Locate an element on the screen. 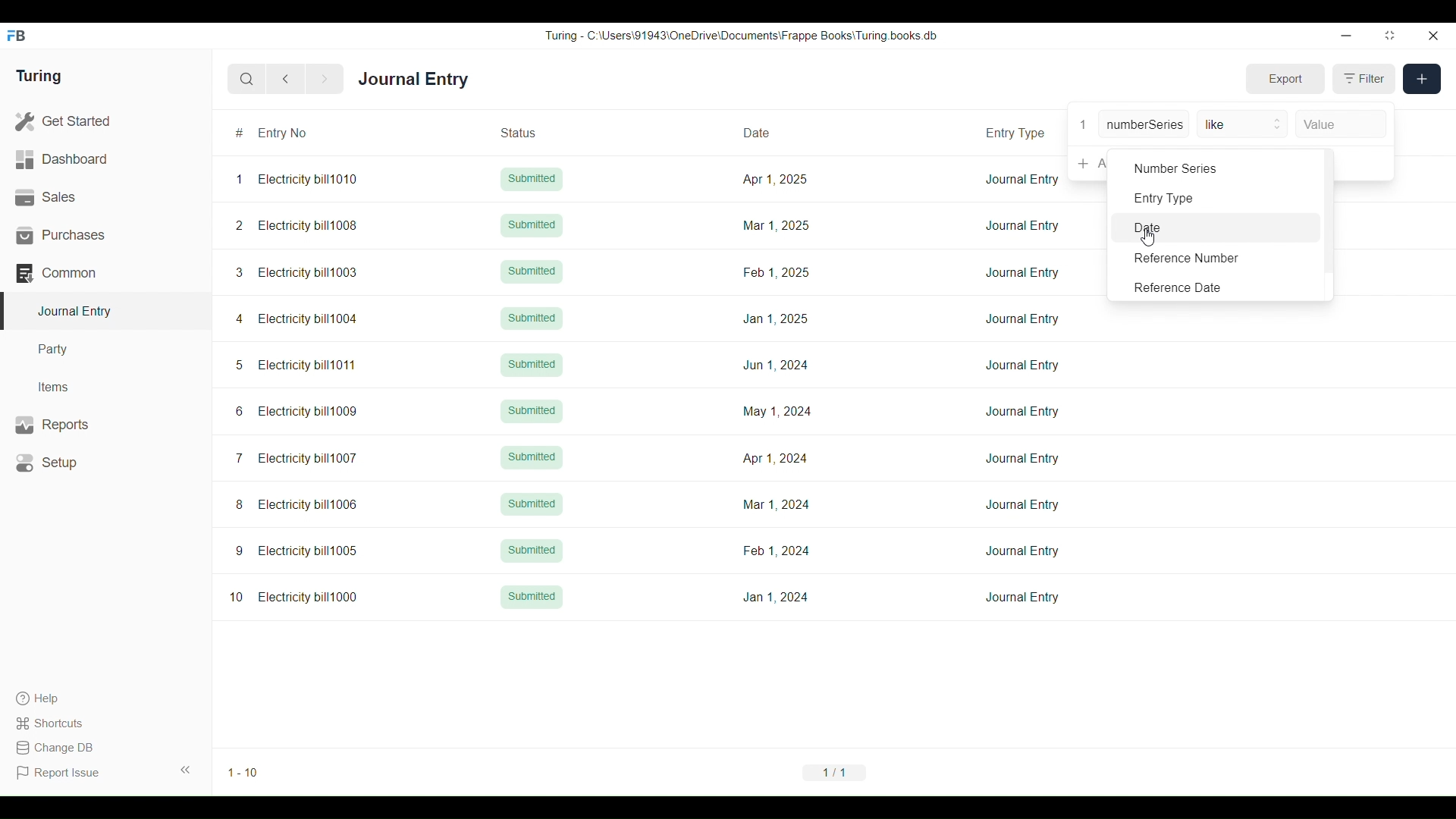  Apr 1, 2025 is located at coordinates (774, 178).